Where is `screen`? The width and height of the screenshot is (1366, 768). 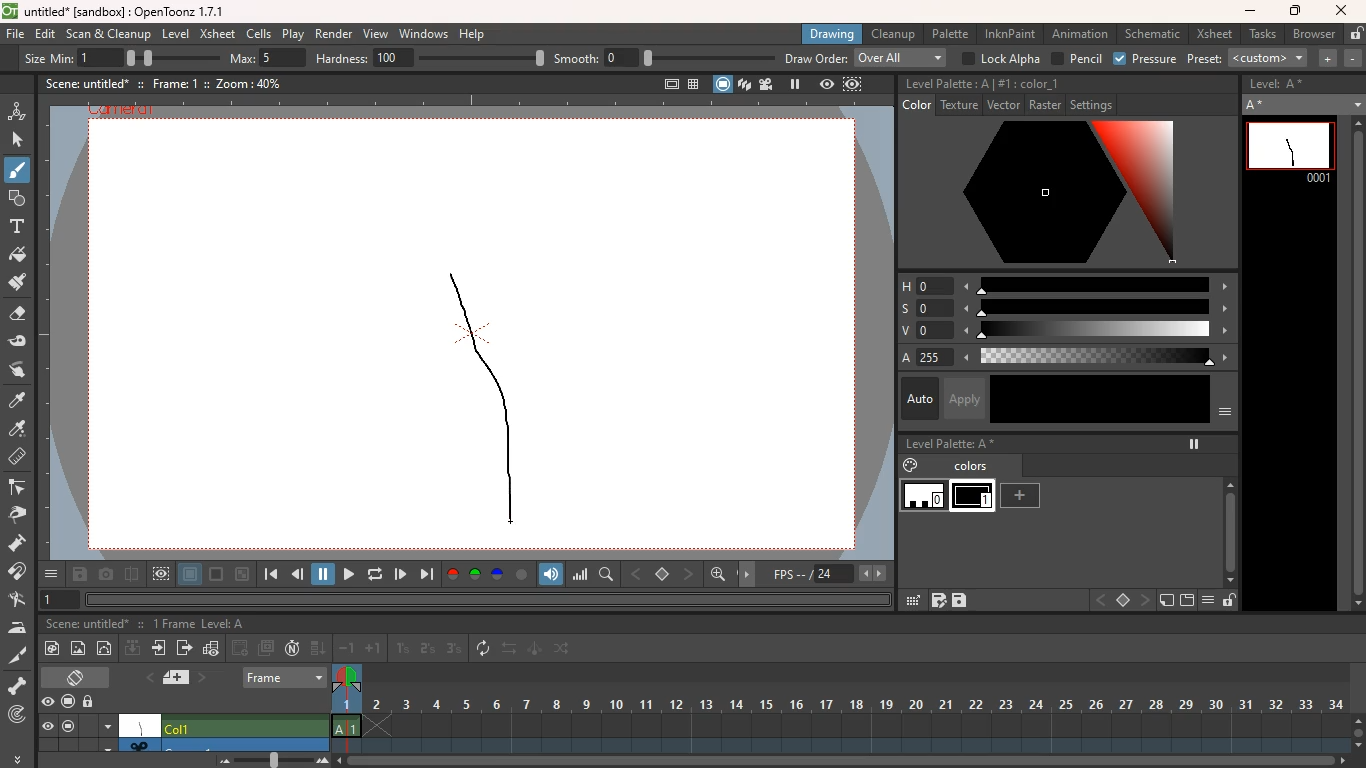
screen is located at coordinates (217, 575).